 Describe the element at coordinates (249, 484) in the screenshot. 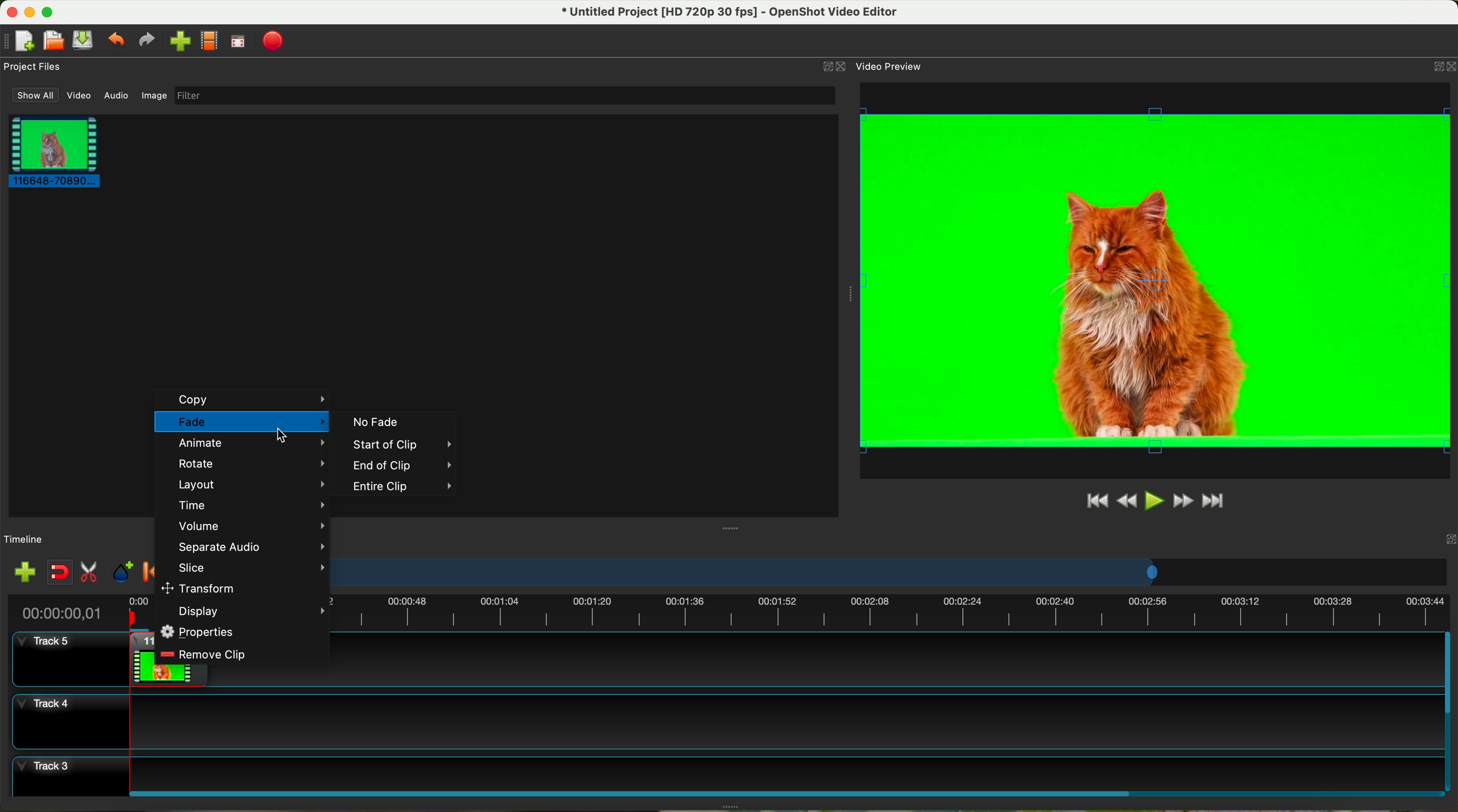

I see `layout` at that location.